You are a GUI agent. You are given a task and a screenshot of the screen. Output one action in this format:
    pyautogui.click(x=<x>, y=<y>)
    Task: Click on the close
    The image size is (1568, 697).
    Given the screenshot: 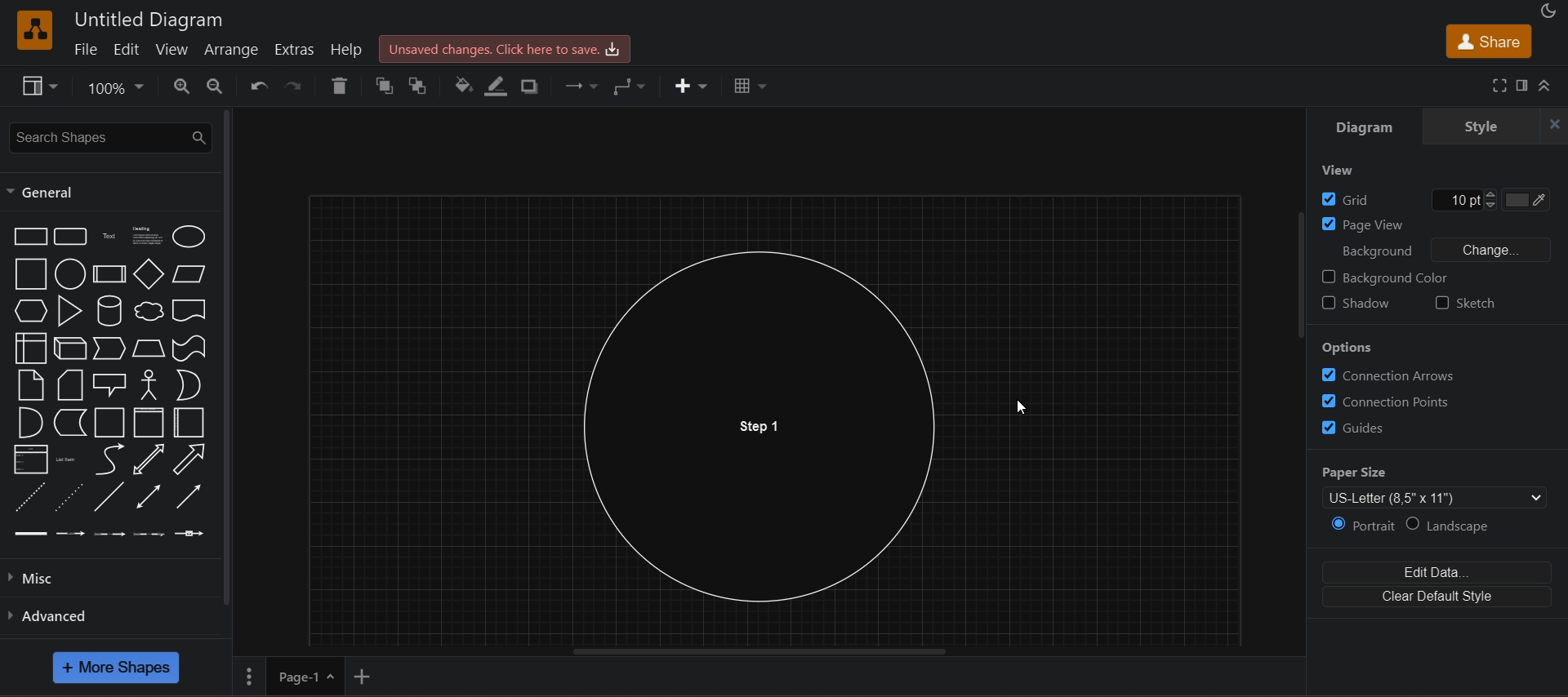 What is the action you would take?
    pyautogui.click(x=1552, y=123)
    